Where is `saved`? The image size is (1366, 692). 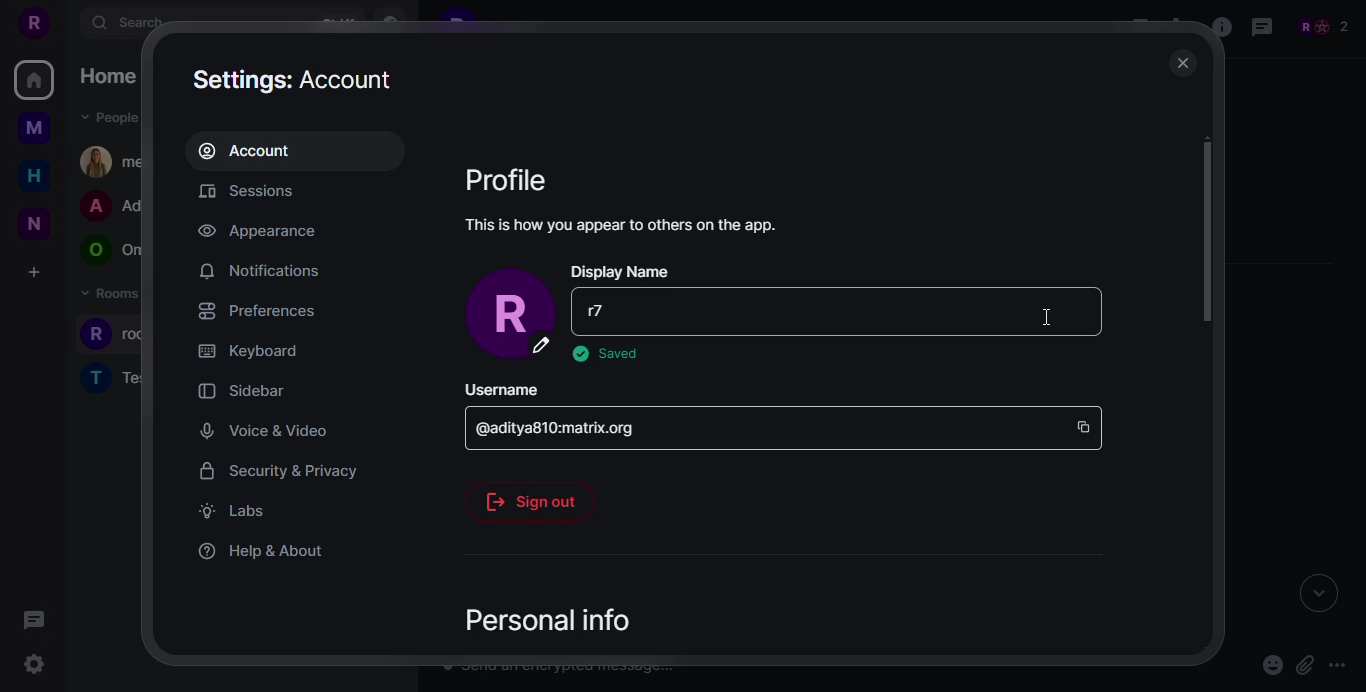
saved is located at coordinates (606, 352).